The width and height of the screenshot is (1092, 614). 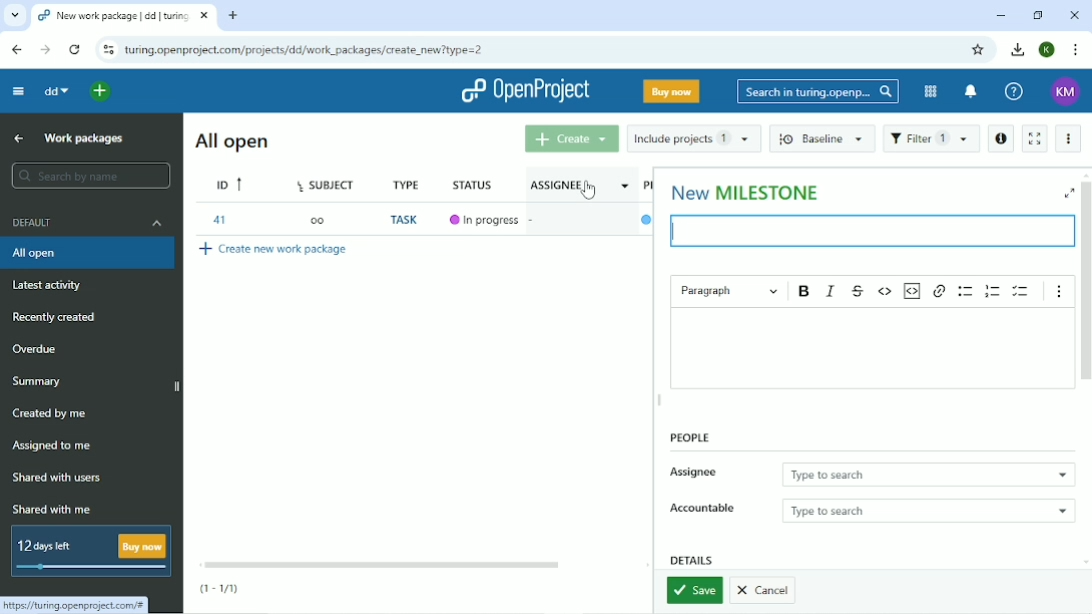 I want to click on Empty name box, so click(x=866, y=231).